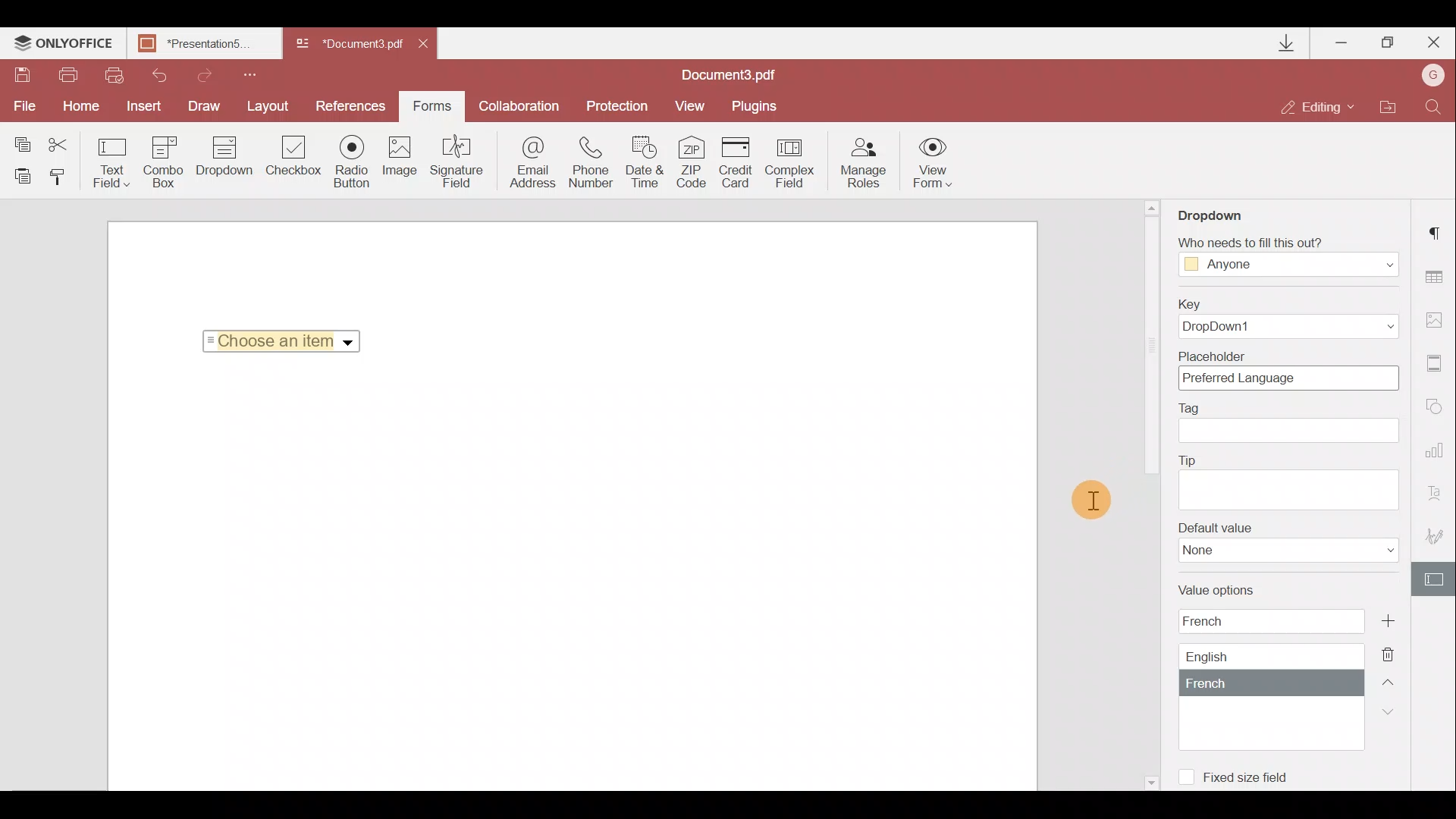 The width and height of the screenshot is (1456, 819). I want to click on Text field, so click(112, 162).